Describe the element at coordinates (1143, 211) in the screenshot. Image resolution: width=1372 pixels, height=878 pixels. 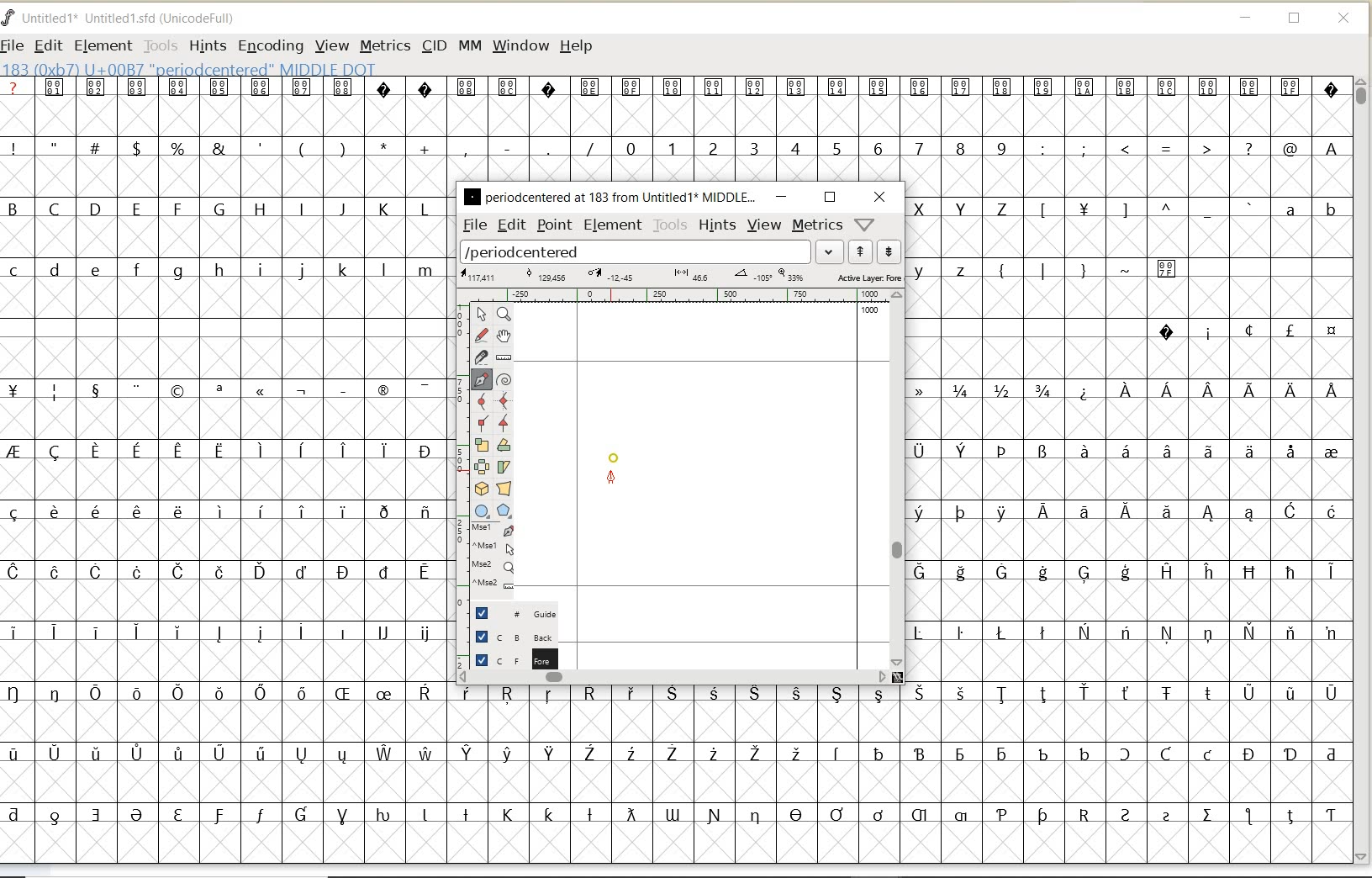
I see `` at that location.